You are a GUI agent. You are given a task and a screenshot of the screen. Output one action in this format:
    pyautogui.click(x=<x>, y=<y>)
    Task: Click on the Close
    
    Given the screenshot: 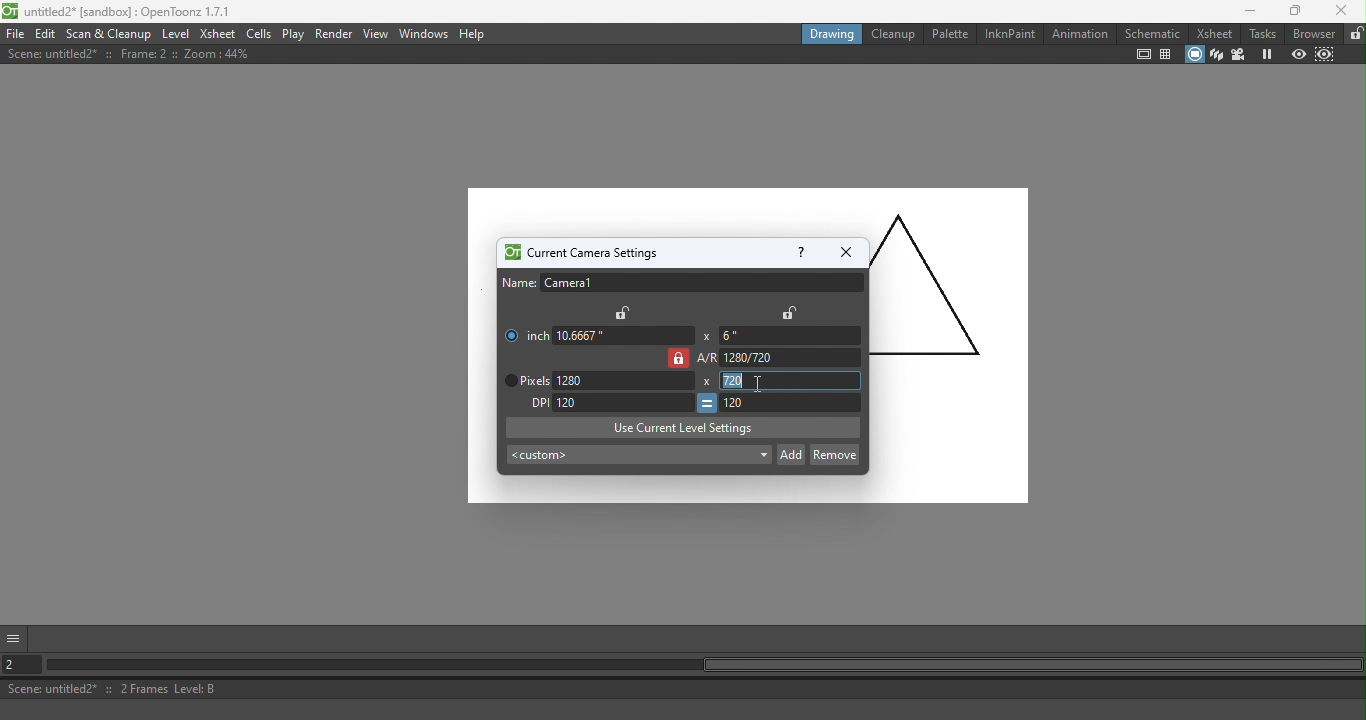 What is the action you would take?
    pyautogui.click(x=845, y=252)
    